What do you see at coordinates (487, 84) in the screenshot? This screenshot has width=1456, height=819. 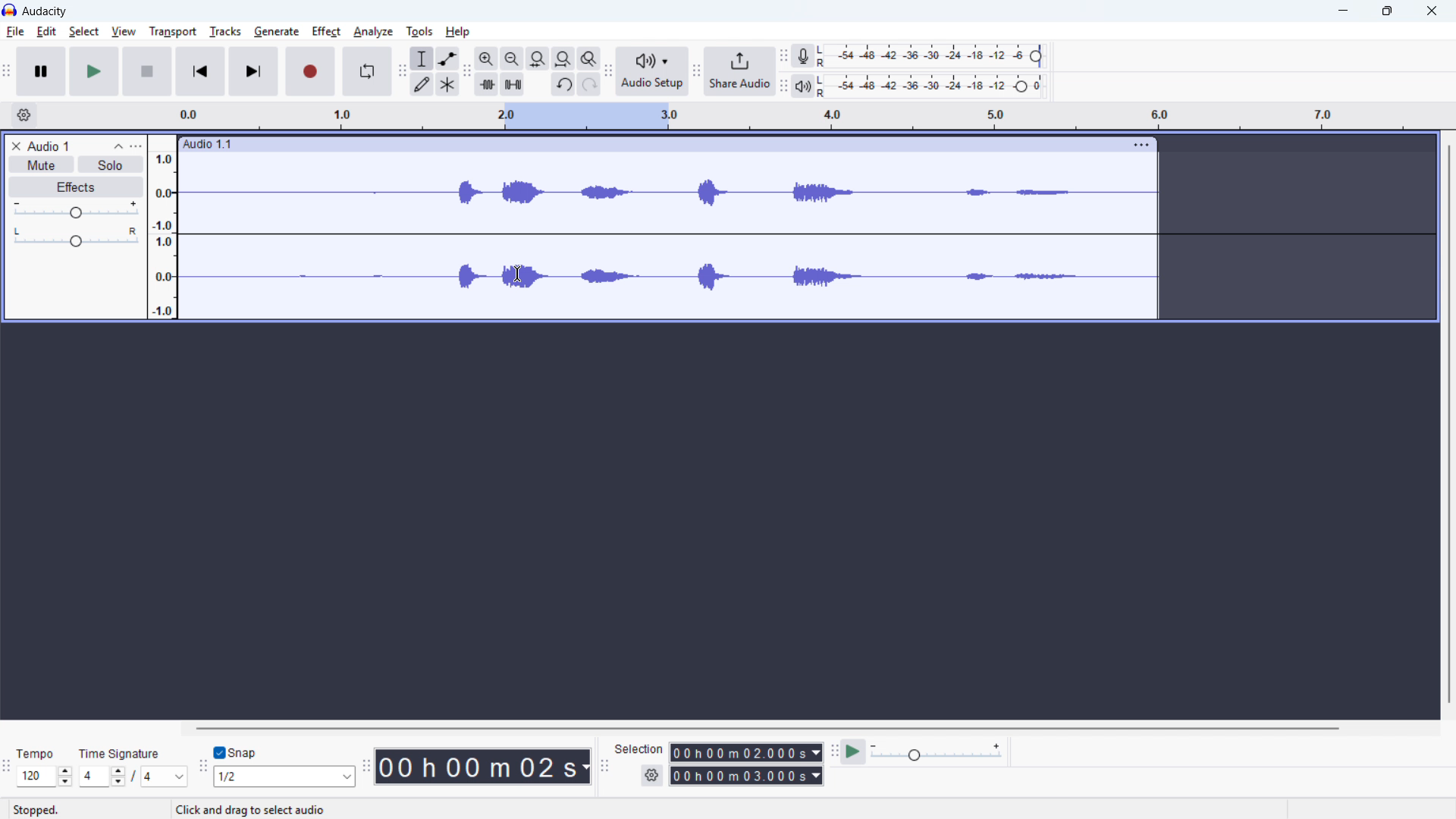 I see `Trim audio outside selection` at bounding box center [487, 84].